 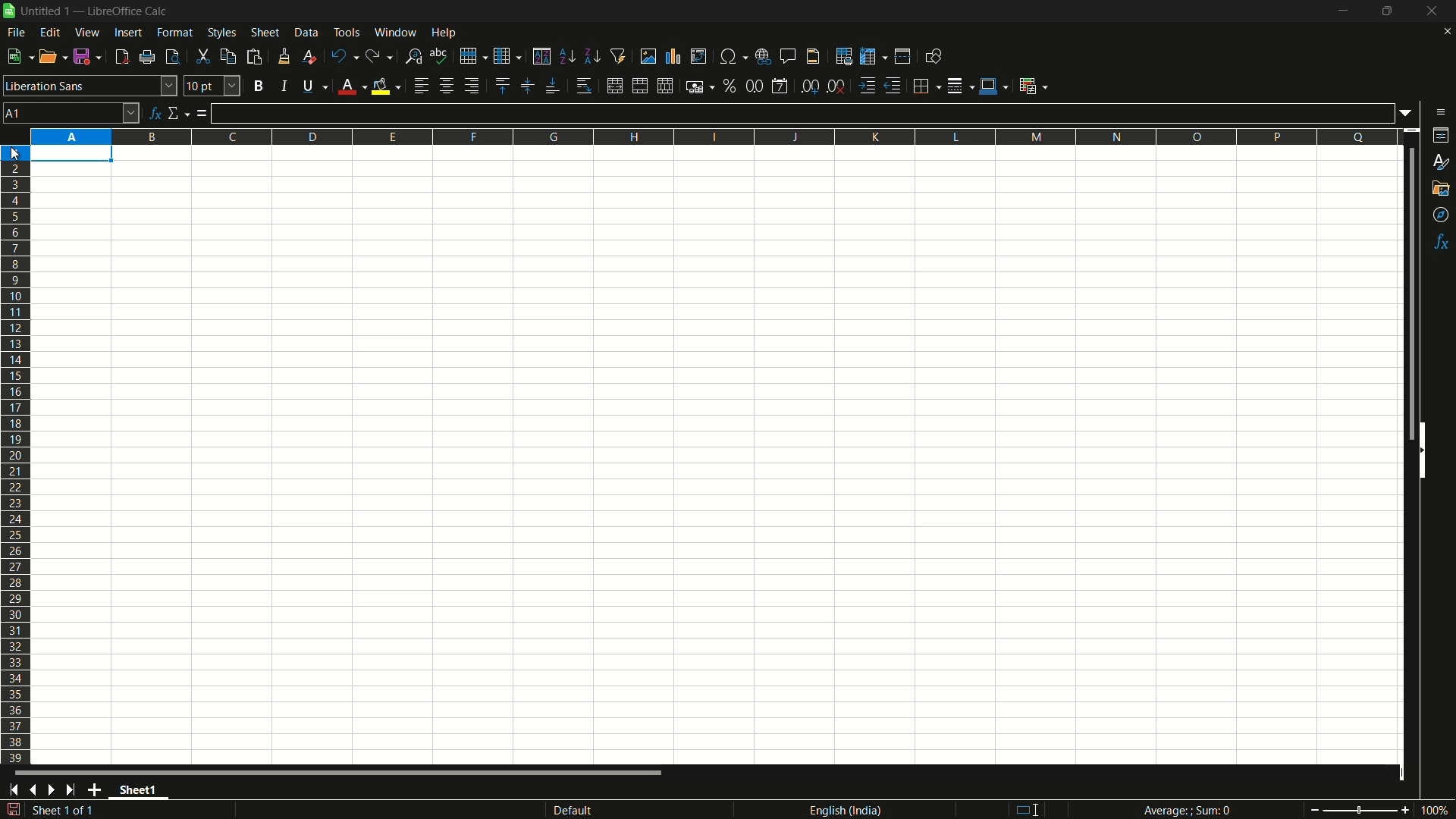 What do you see at coordinates (254, 57) in the screenshot?
I see `paste` at bounding box center [254, 57].